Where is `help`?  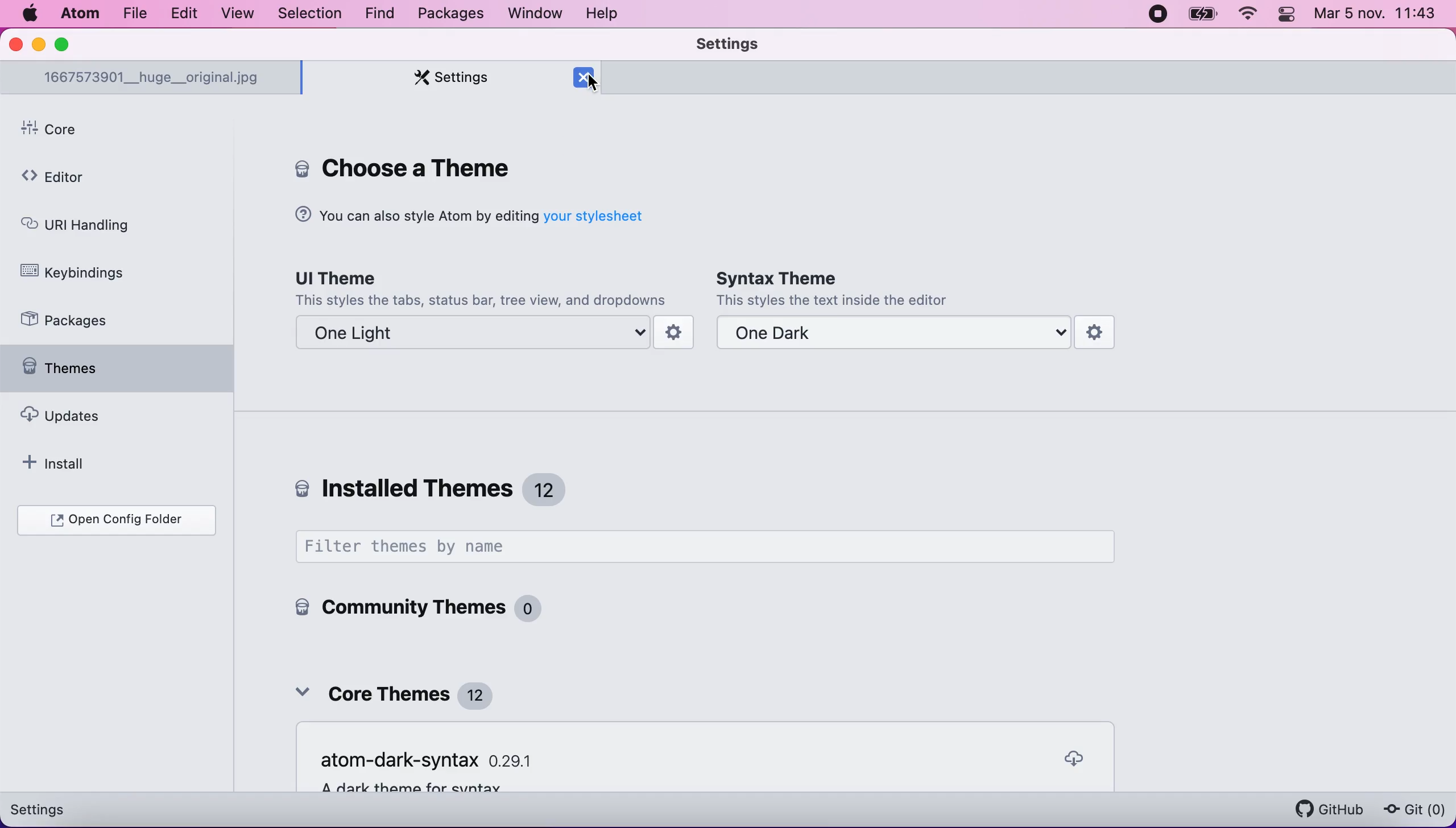 help is located at coordinates (609, 15).